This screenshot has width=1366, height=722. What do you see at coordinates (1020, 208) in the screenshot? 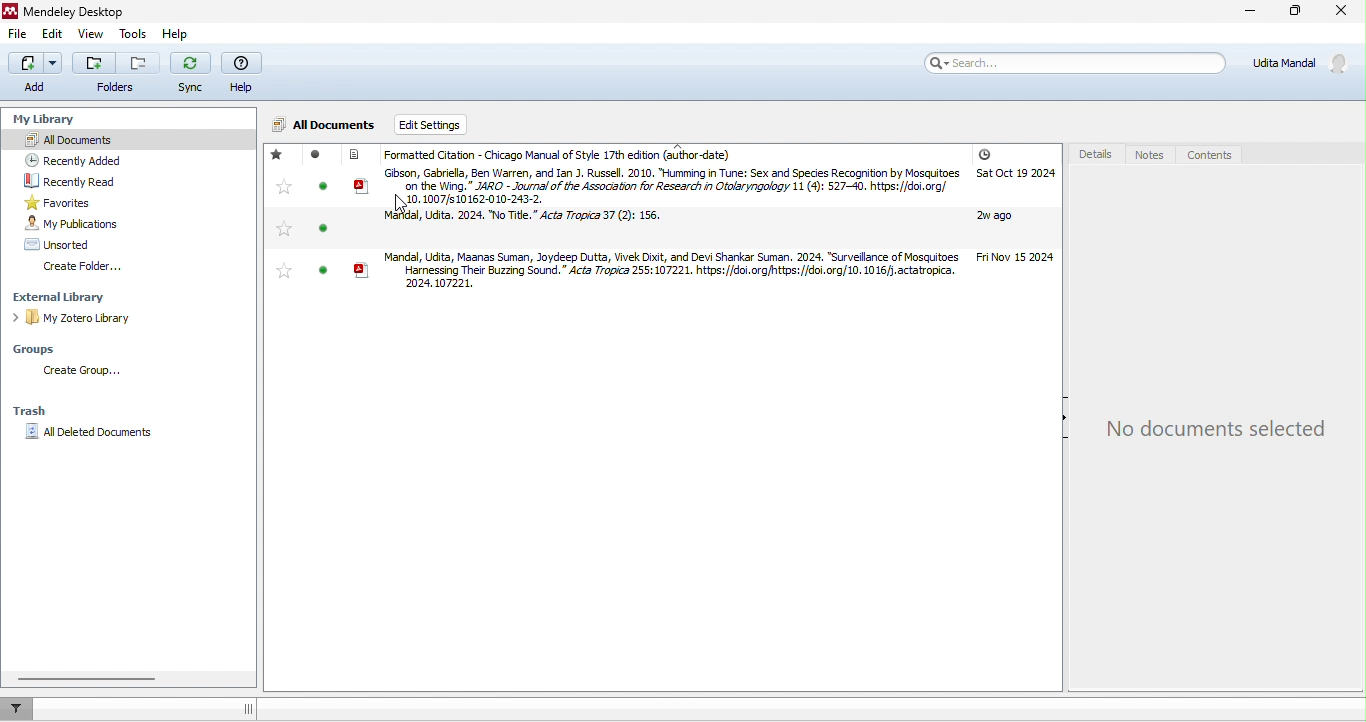
I see `Sat Oct 19 2024w agoriNov 152024` at bounding box center [1020, 208].